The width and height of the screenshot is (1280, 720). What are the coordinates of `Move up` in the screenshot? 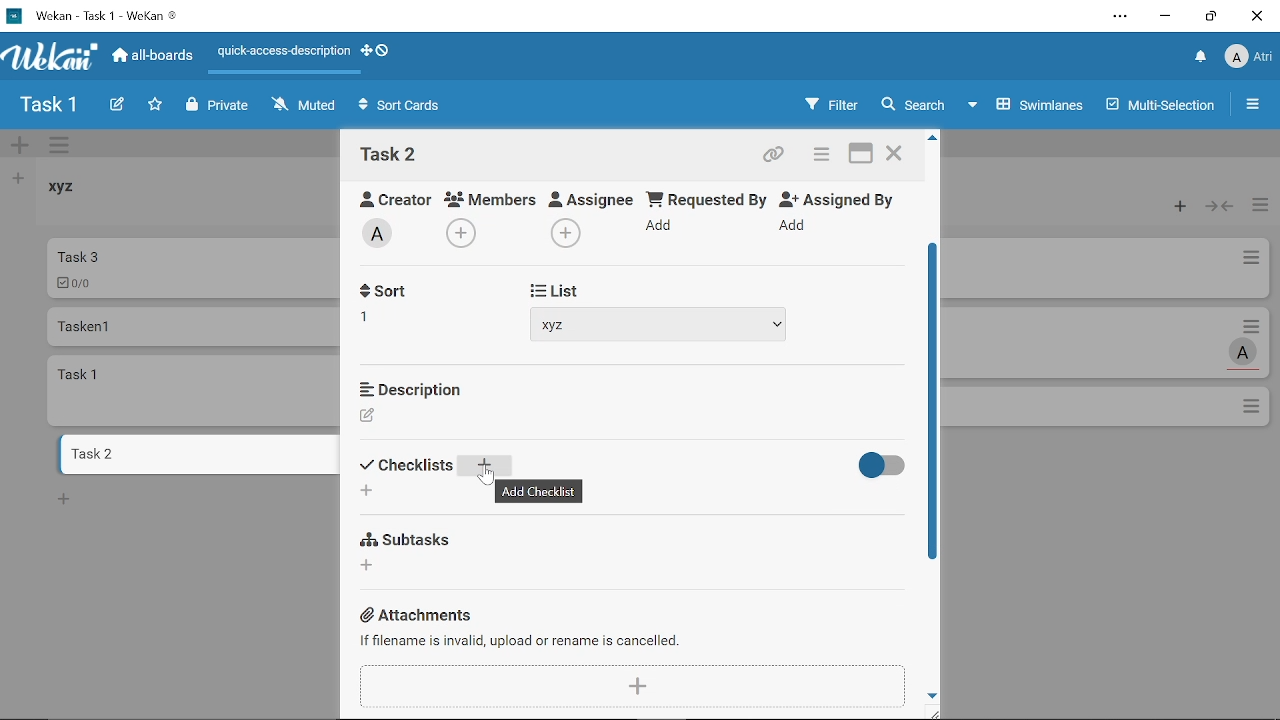 It's located at (933, 138).